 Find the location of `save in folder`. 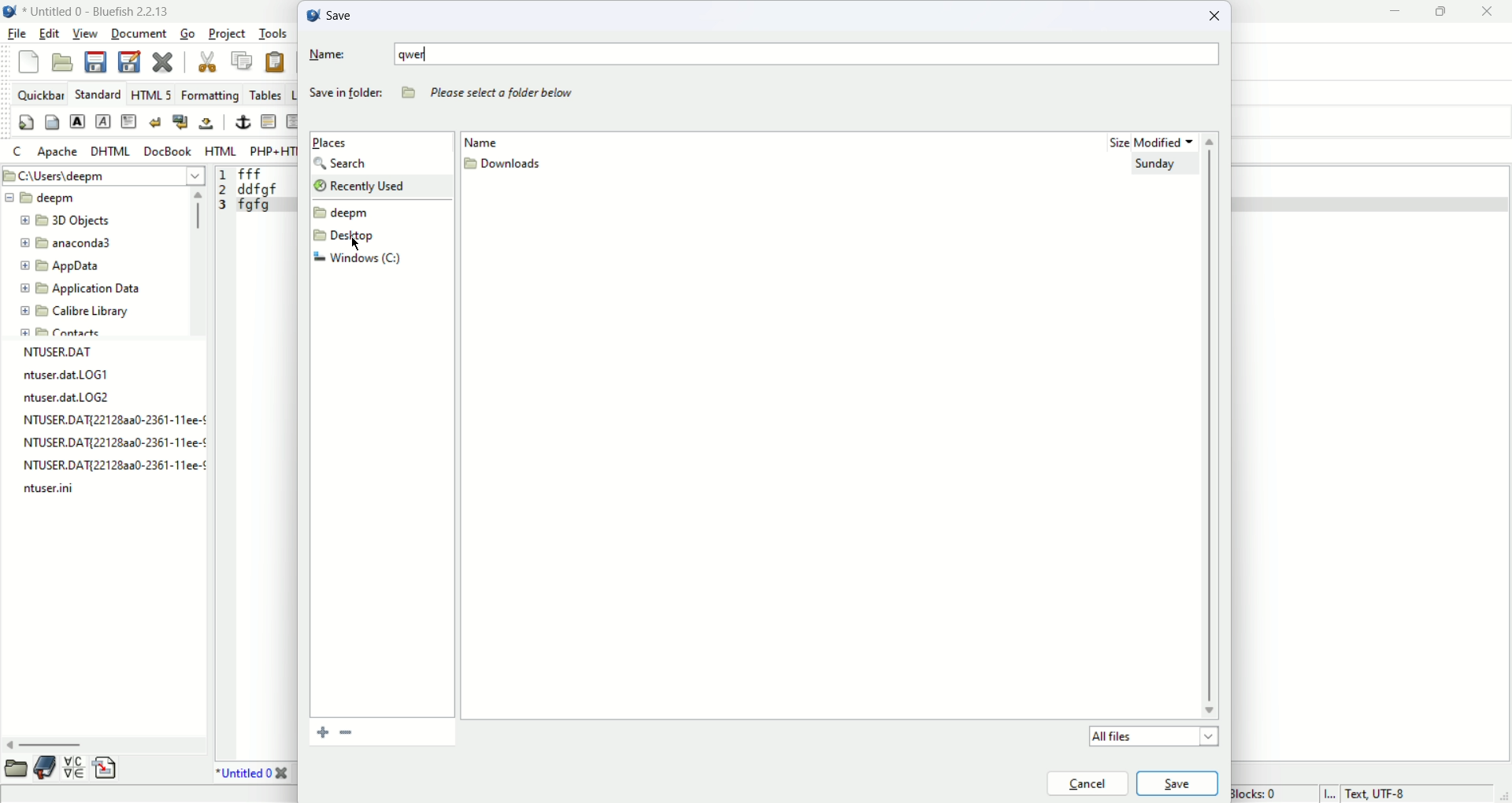

save in folder is located at coordinates (344, 96).